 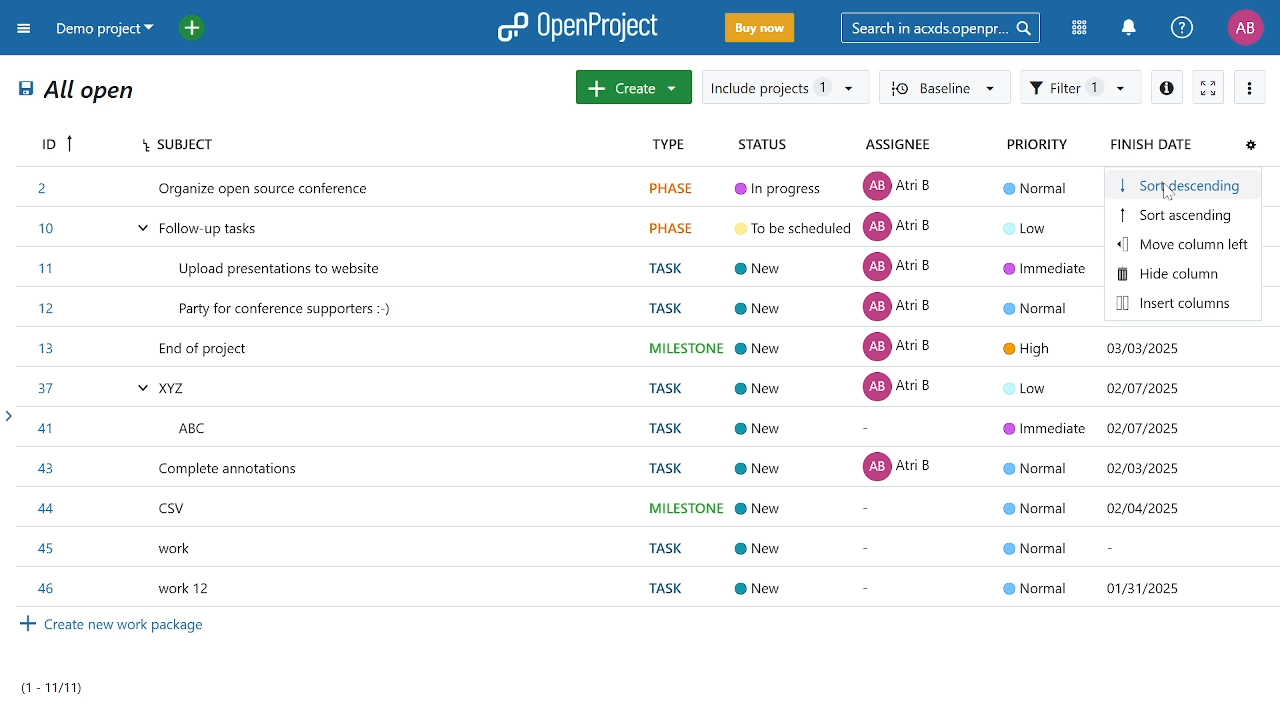 What do you see at coordinates (57, 143) in the screenshot?
I see `Id` at bounding box center [57, 143].